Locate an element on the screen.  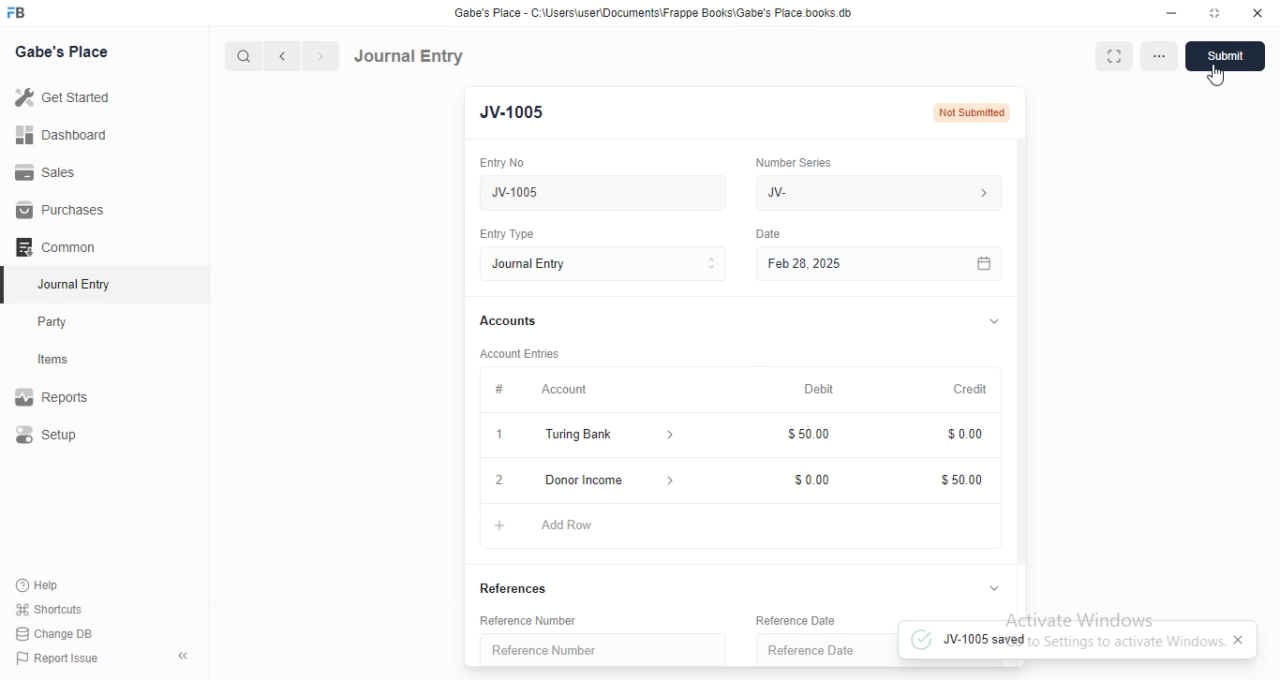
not submitted is located at coordinates (970, 113).